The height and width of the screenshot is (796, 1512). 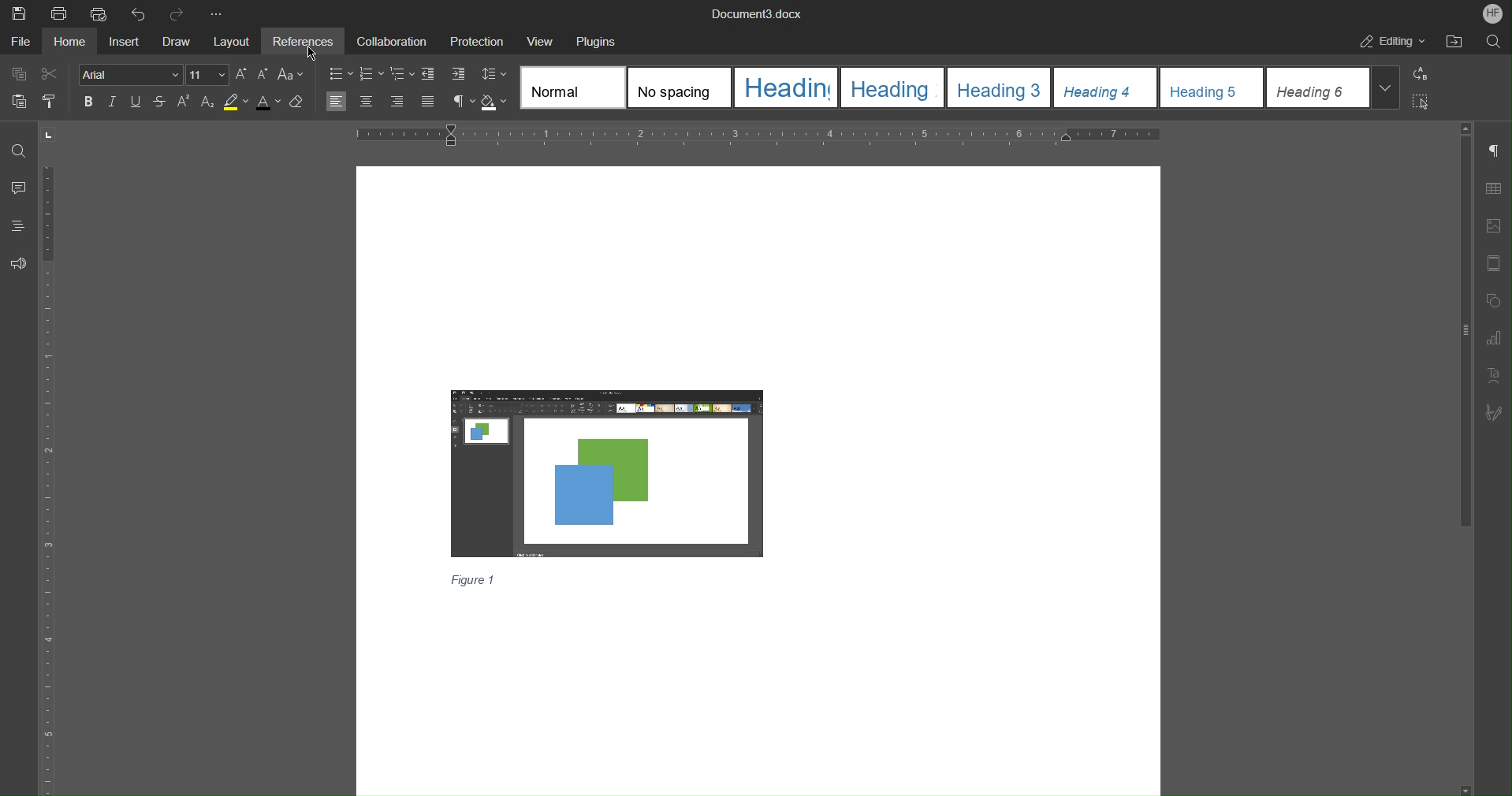 What do you see at coordinates (573, 87) in the screenshot?
I see `Normal` at bounding box center [573, 87].